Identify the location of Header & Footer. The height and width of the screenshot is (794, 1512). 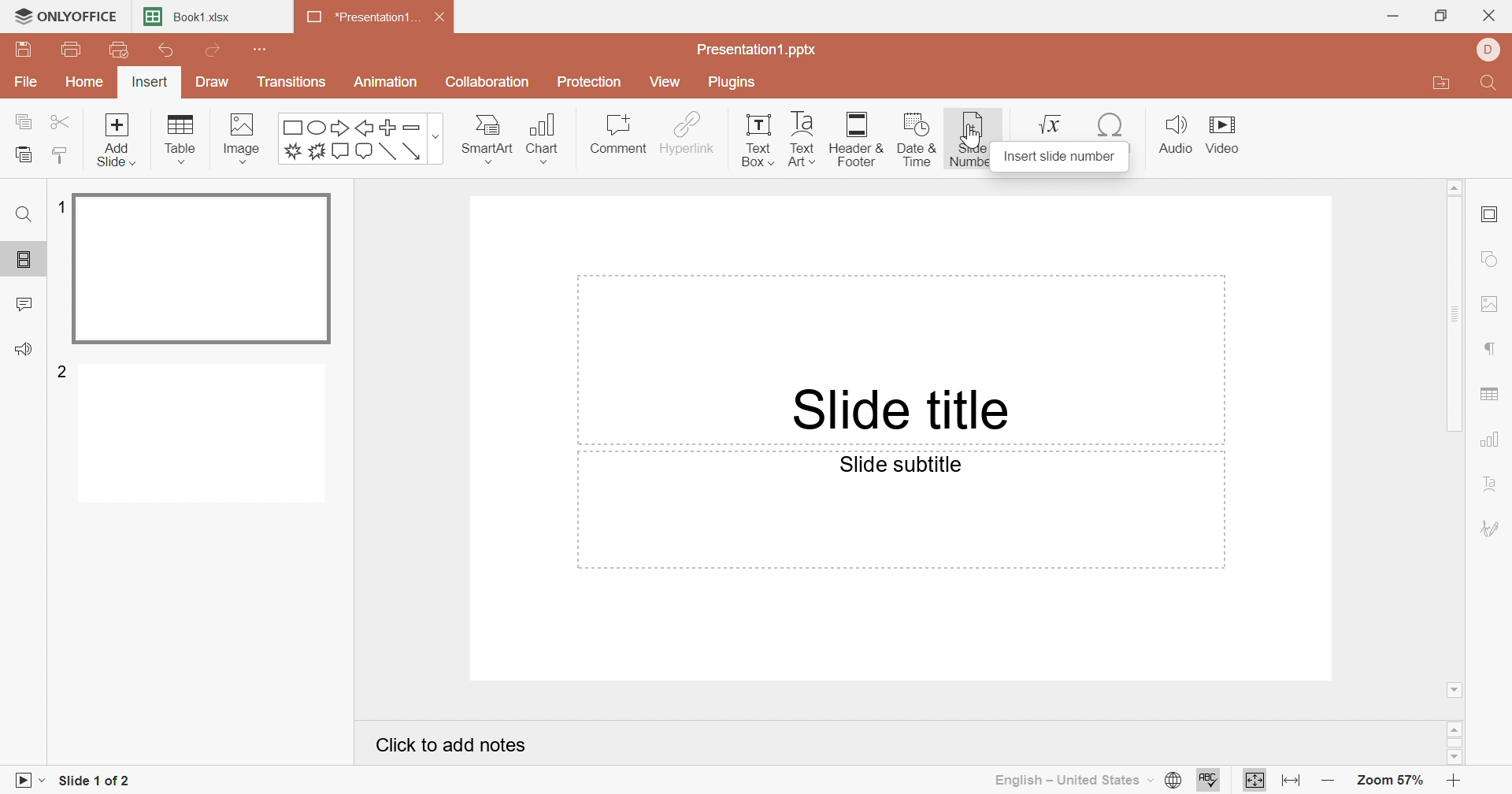
(858, 141).